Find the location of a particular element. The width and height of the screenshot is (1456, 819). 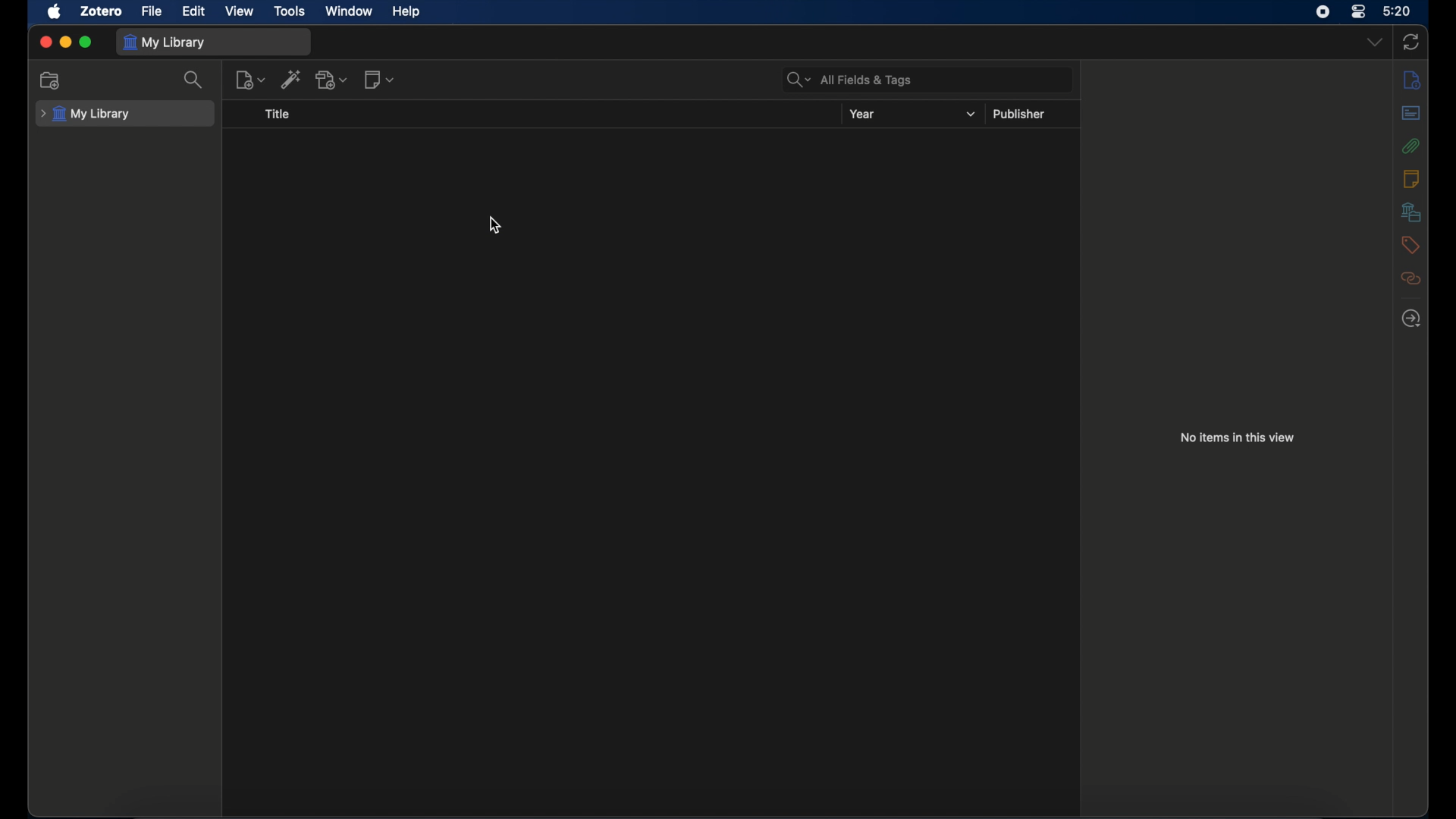

sync is located at coordinates (1410, 42).